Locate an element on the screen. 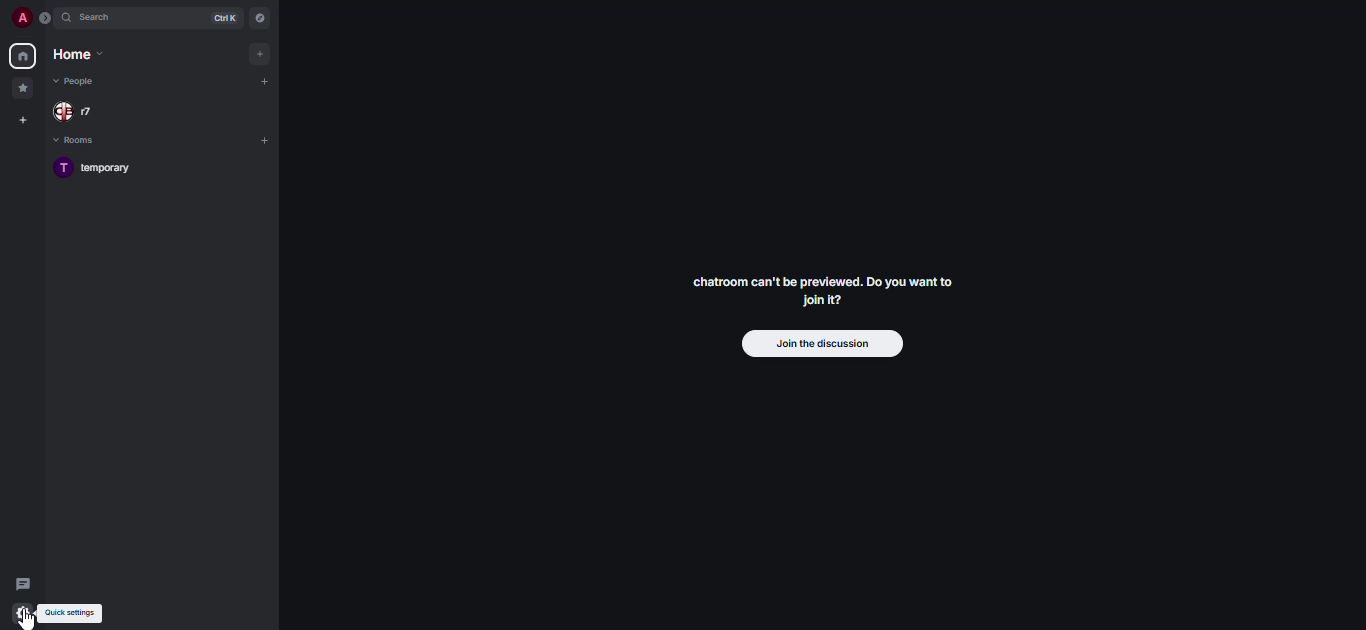 Image resolution: width=1366 pixels, height=630 pixels. expand is located at coordinates (45, 18).